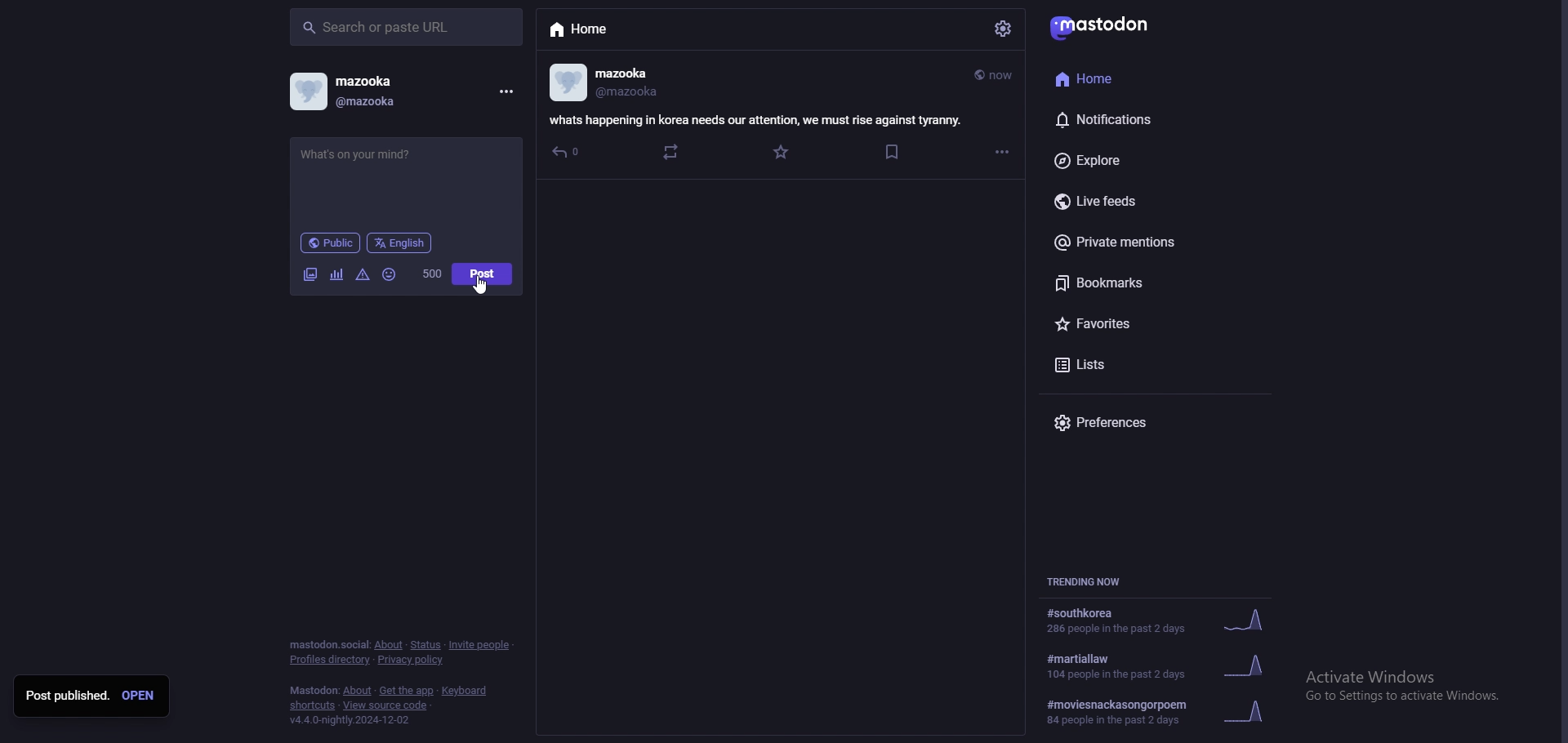  What do you see at coordinates (483, 274) in the screenshot?
I see `post` at bounding box center [483, 274].